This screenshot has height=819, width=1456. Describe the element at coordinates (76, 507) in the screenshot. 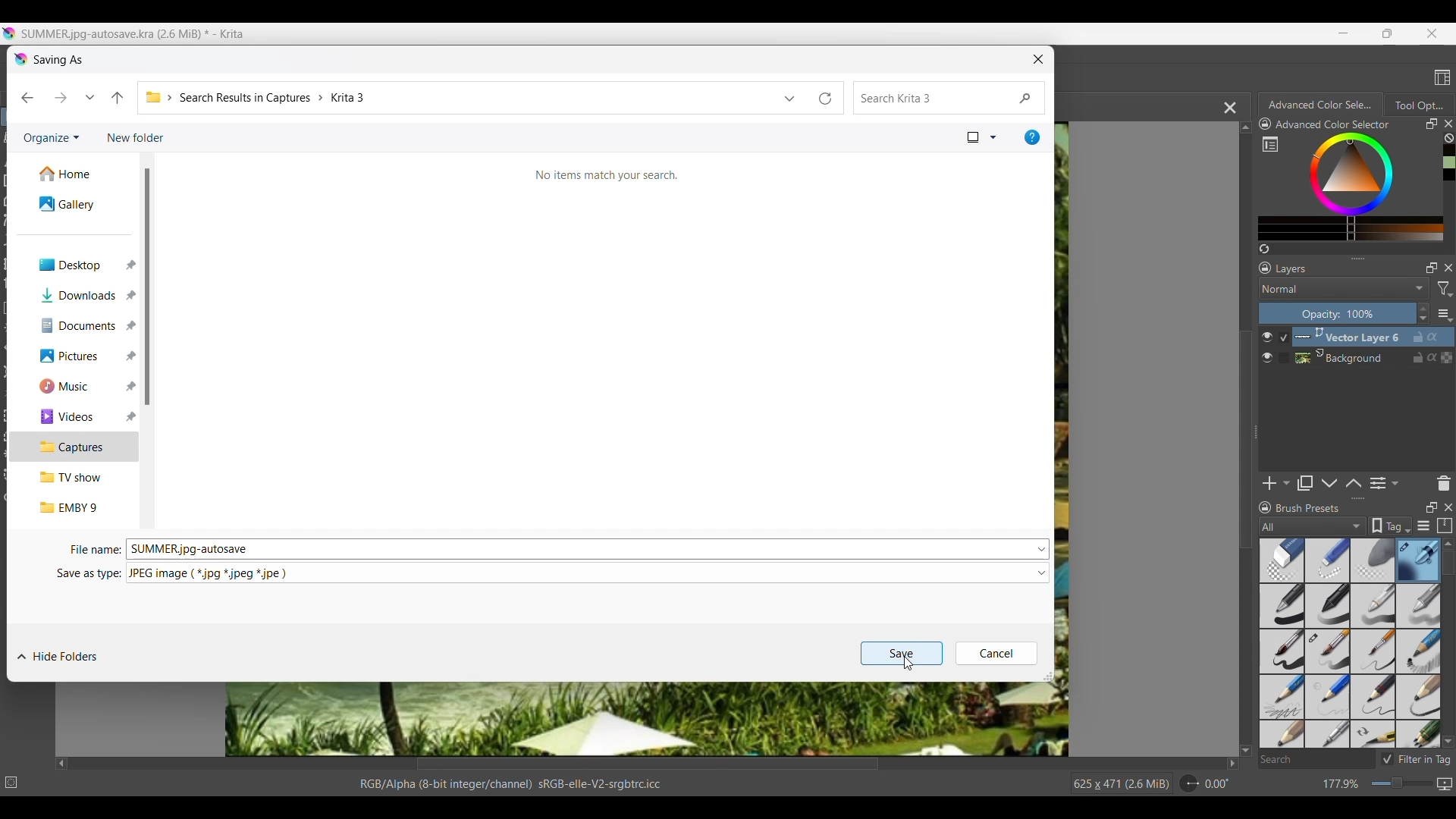

I see `EMBY 9 folder` at that location.